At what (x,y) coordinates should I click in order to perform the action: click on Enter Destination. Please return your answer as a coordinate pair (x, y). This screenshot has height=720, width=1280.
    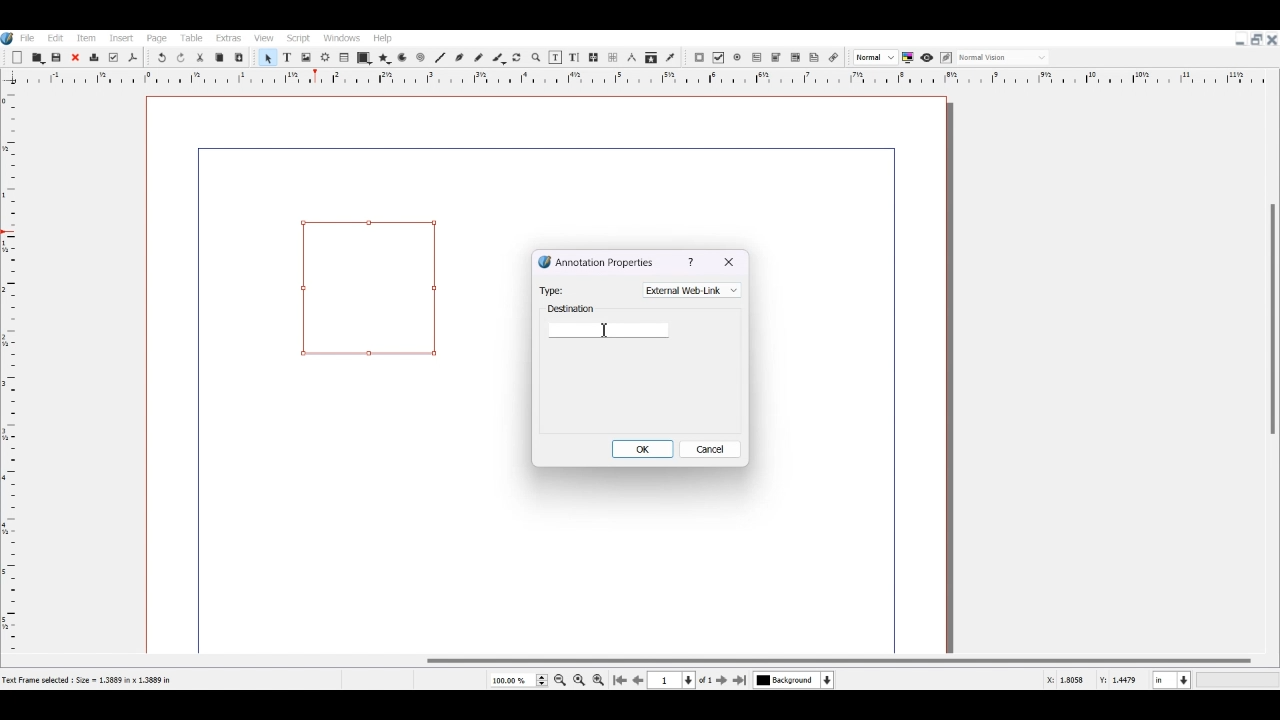
    Looking at the image, I should click on (609, 322).